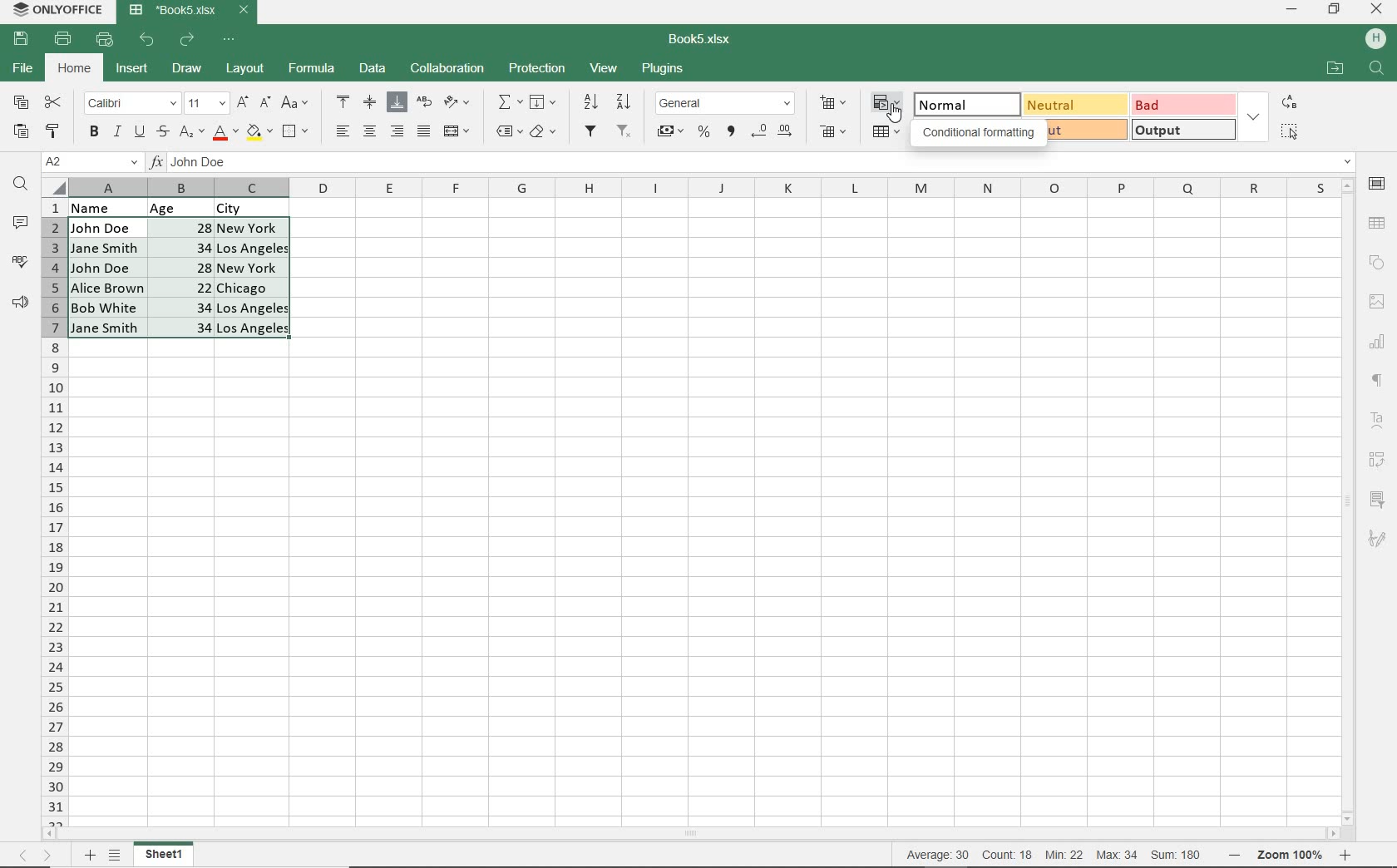 This screenshot has width=1397, height=868. Describe the element at coordinates (1288, 101) in the screenshot. I see `REPLACE` at that location.